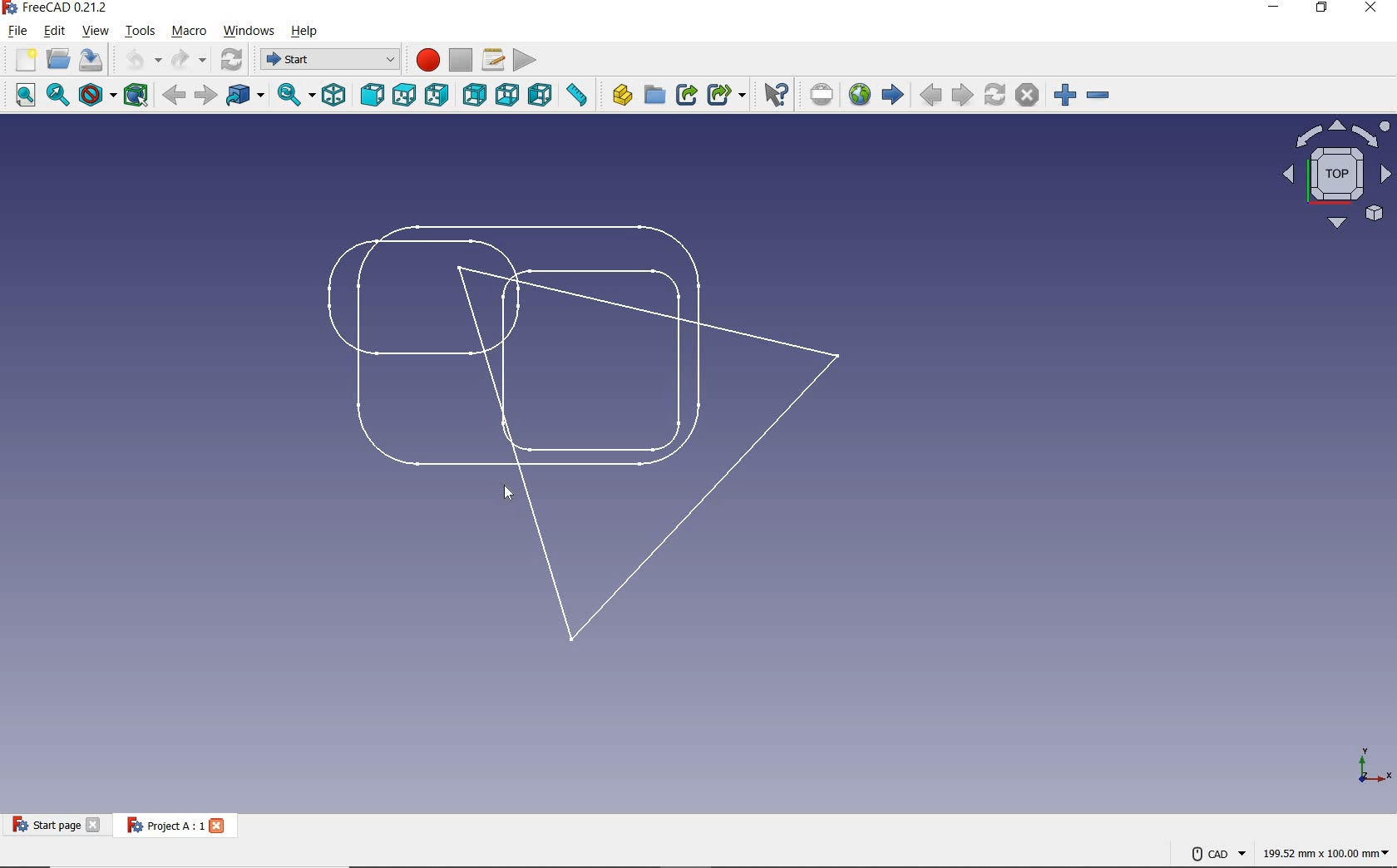  I want to click on MACROS, so click(493, 61).